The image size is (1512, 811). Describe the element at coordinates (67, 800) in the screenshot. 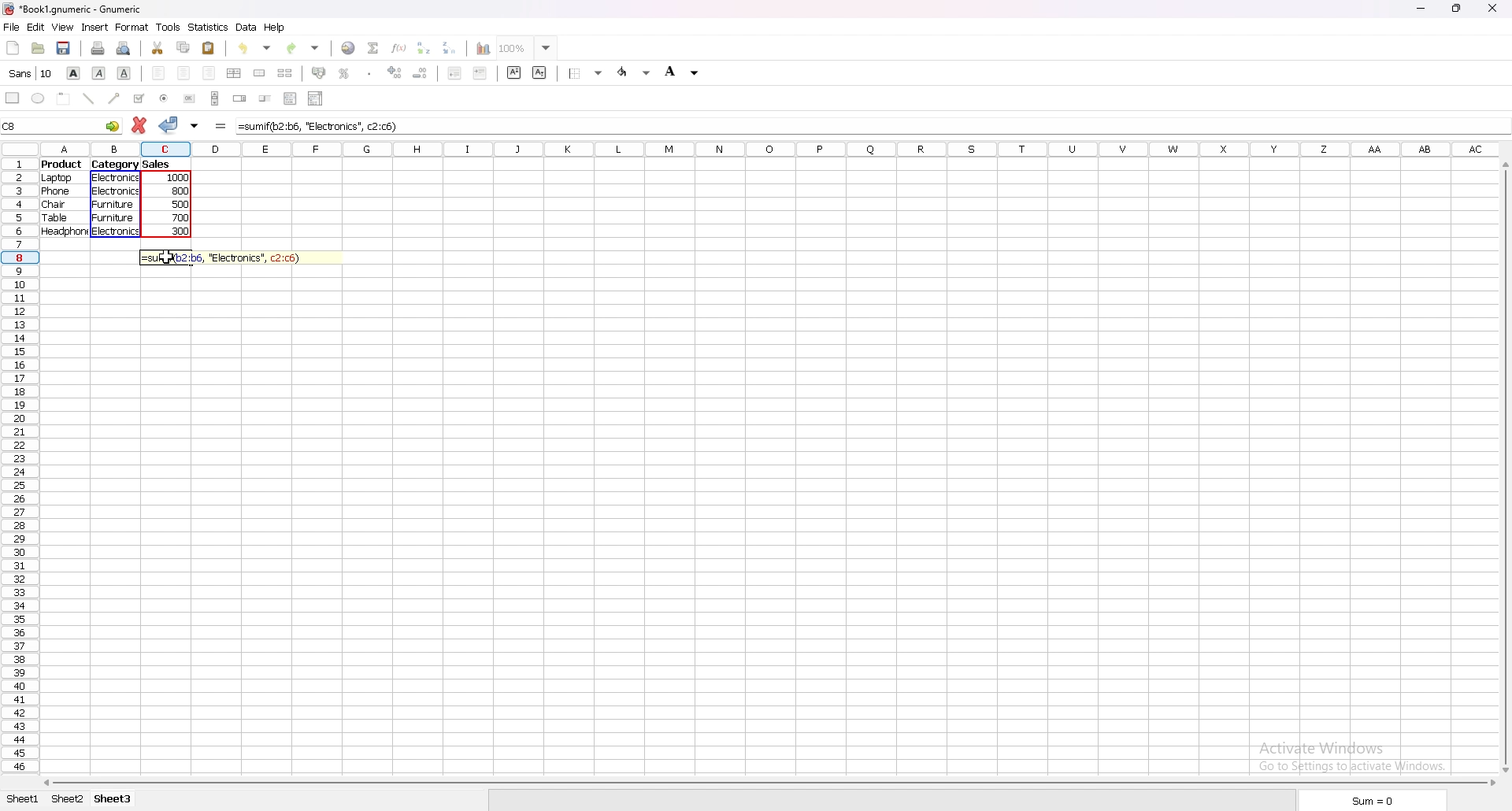

I see `sheet 2` at that location.